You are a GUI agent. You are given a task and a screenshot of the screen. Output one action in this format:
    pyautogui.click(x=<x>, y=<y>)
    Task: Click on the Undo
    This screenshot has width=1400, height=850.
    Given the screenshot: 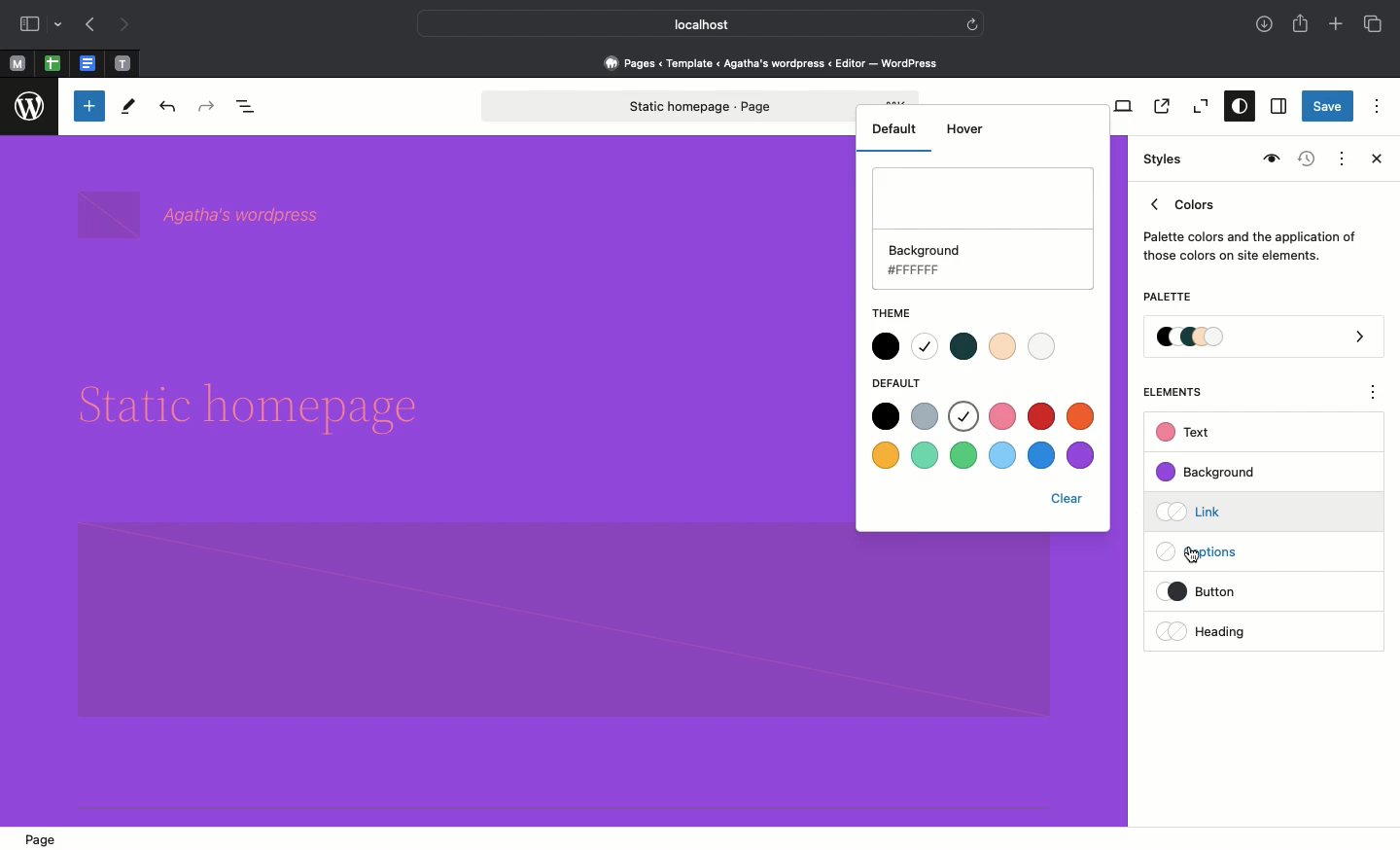 What is the action you would take?
    pyautogui.click(x=167, y=108)
    